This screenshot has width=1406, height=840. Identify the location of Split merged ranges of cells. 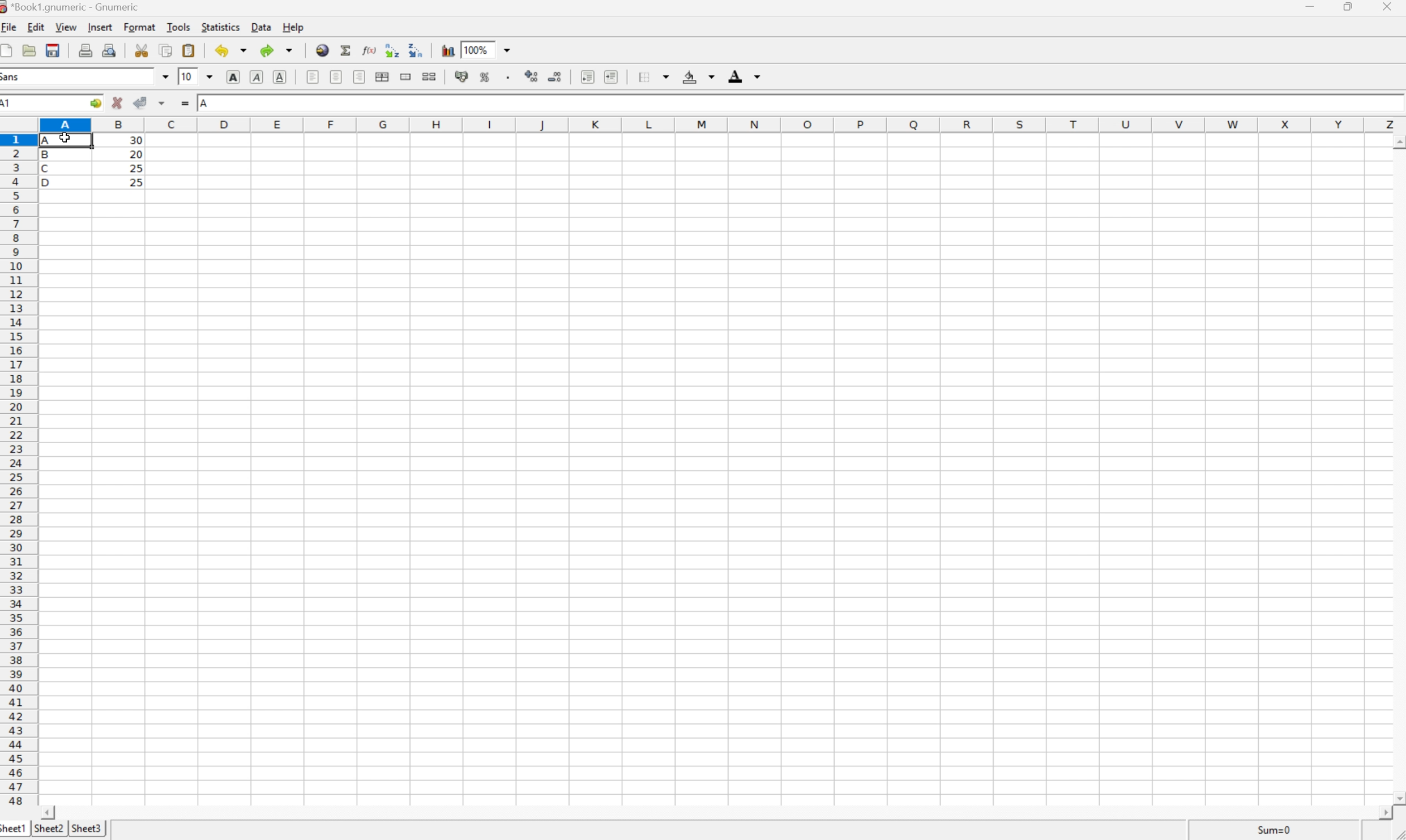
(428, 77).